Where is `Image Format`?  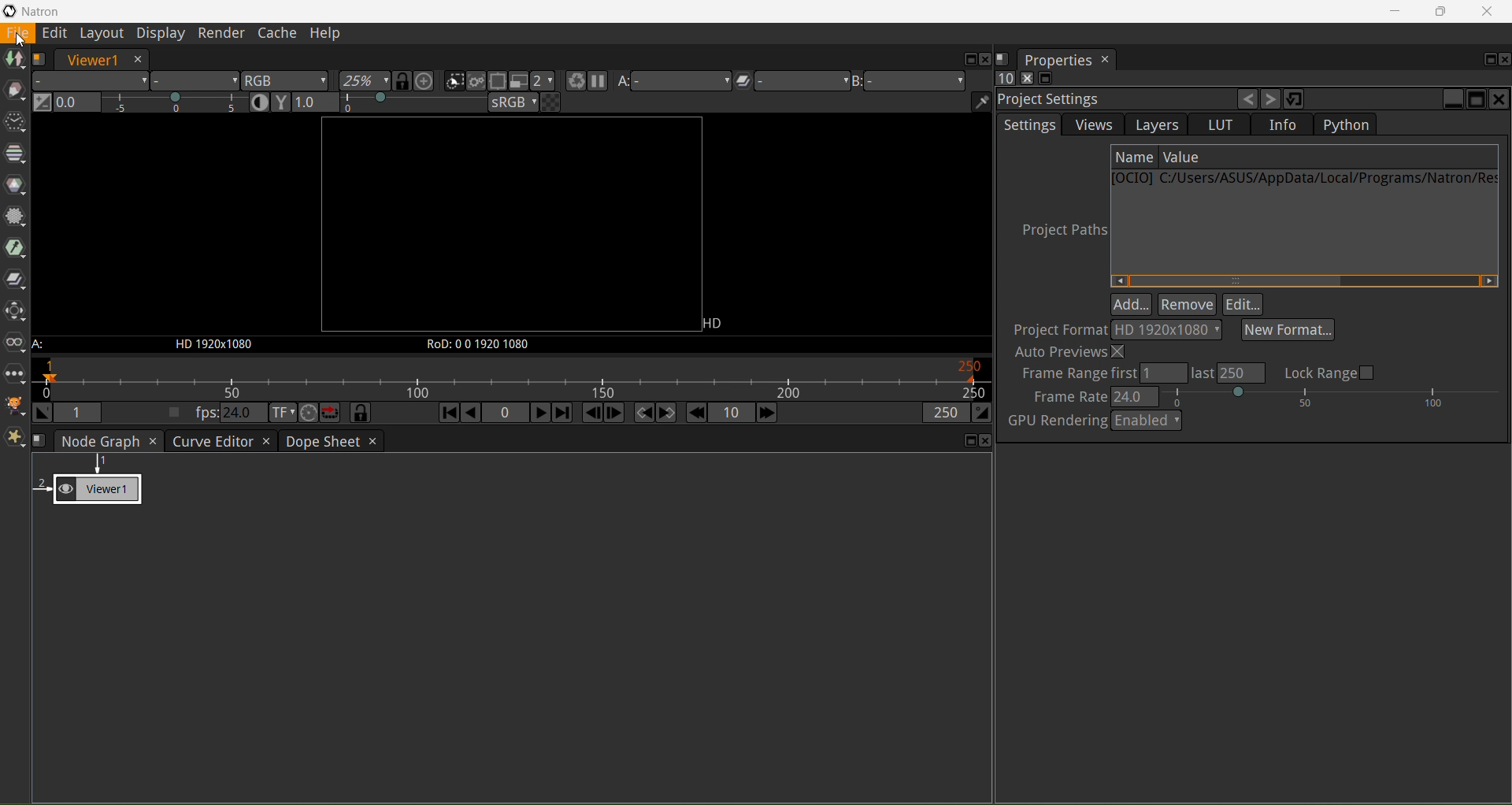 Image Format is located at coordinates (718, 323).